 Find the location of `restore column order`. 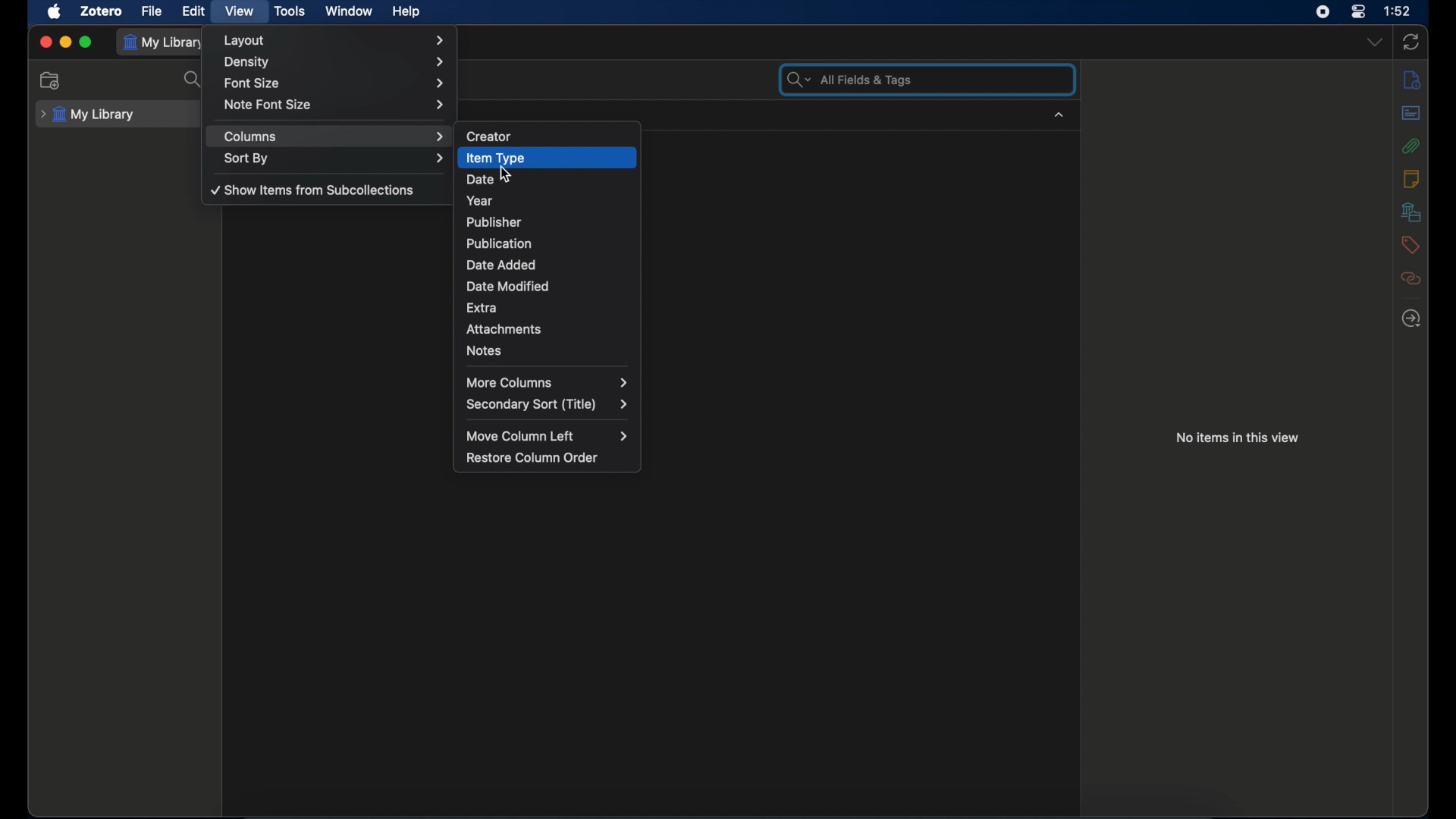

restore column order is located at coordinates (533, 458).